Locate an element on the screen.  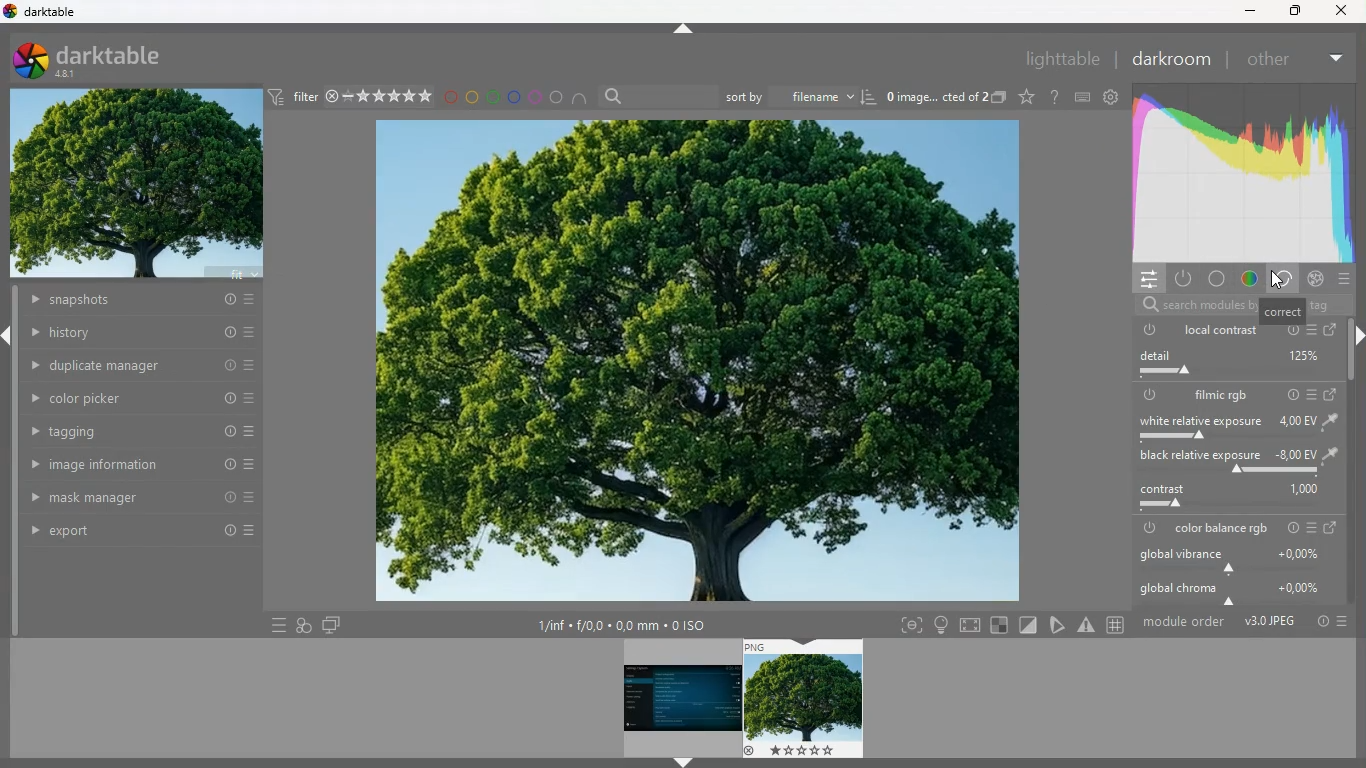
info is located at coordinates (1288, 394).